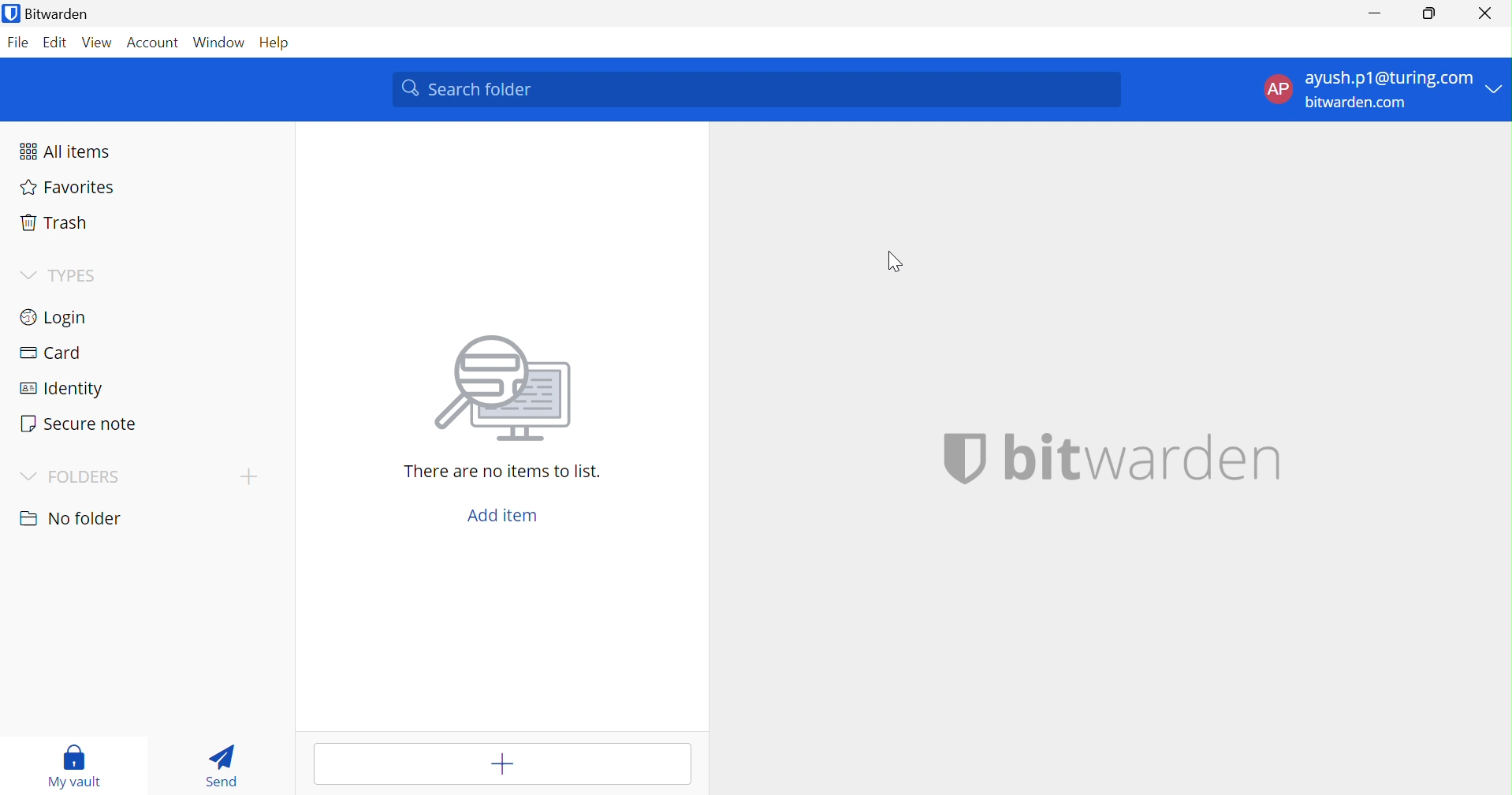 Image resolution: width=1512 pixels, height=795 pixels. Describe the element at coordinates (151, 43) in the screenshot. I see `Account` at that location.